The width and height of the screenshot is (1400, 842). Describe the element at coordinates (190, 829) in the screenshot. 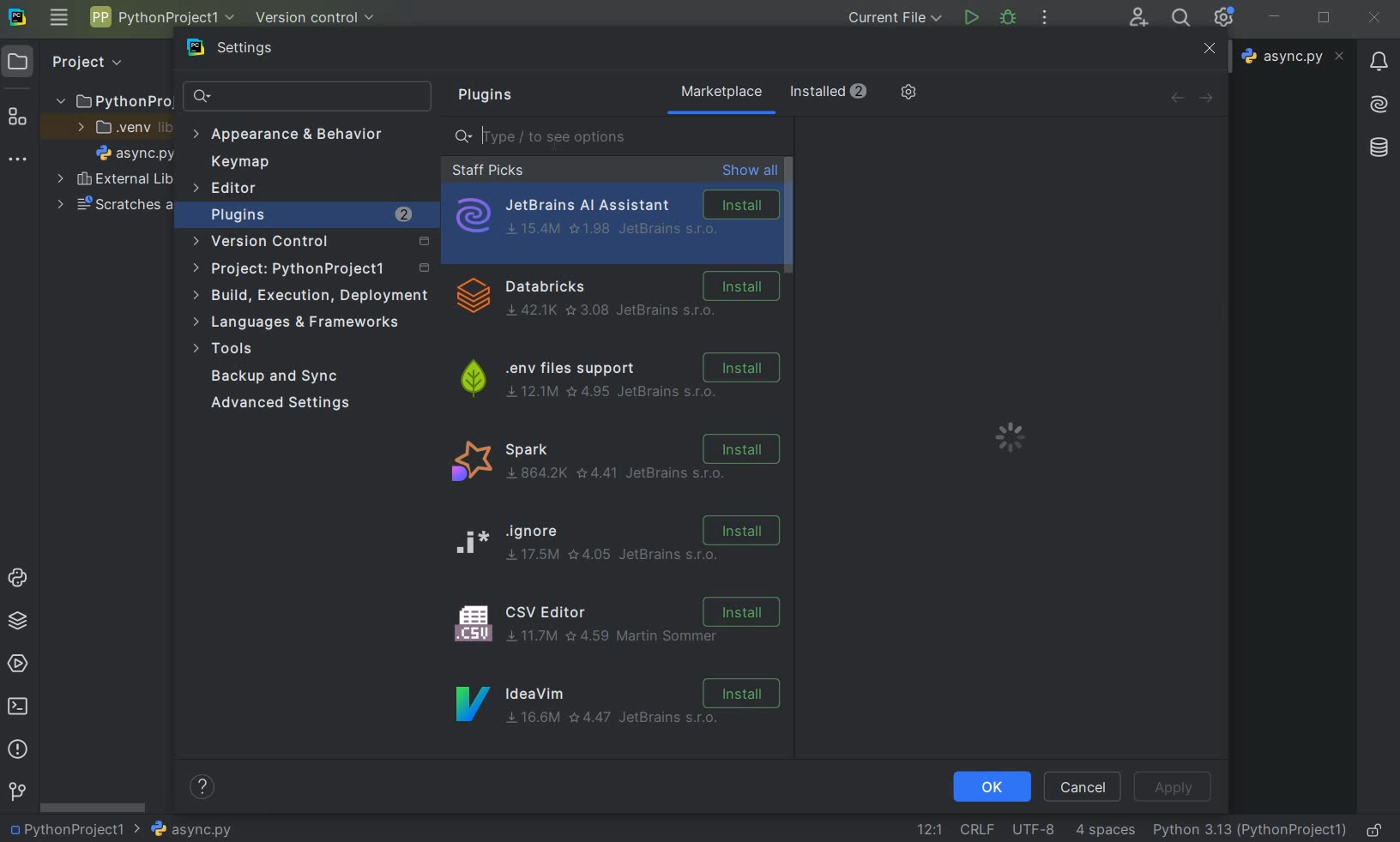

I see `file name` at that location.